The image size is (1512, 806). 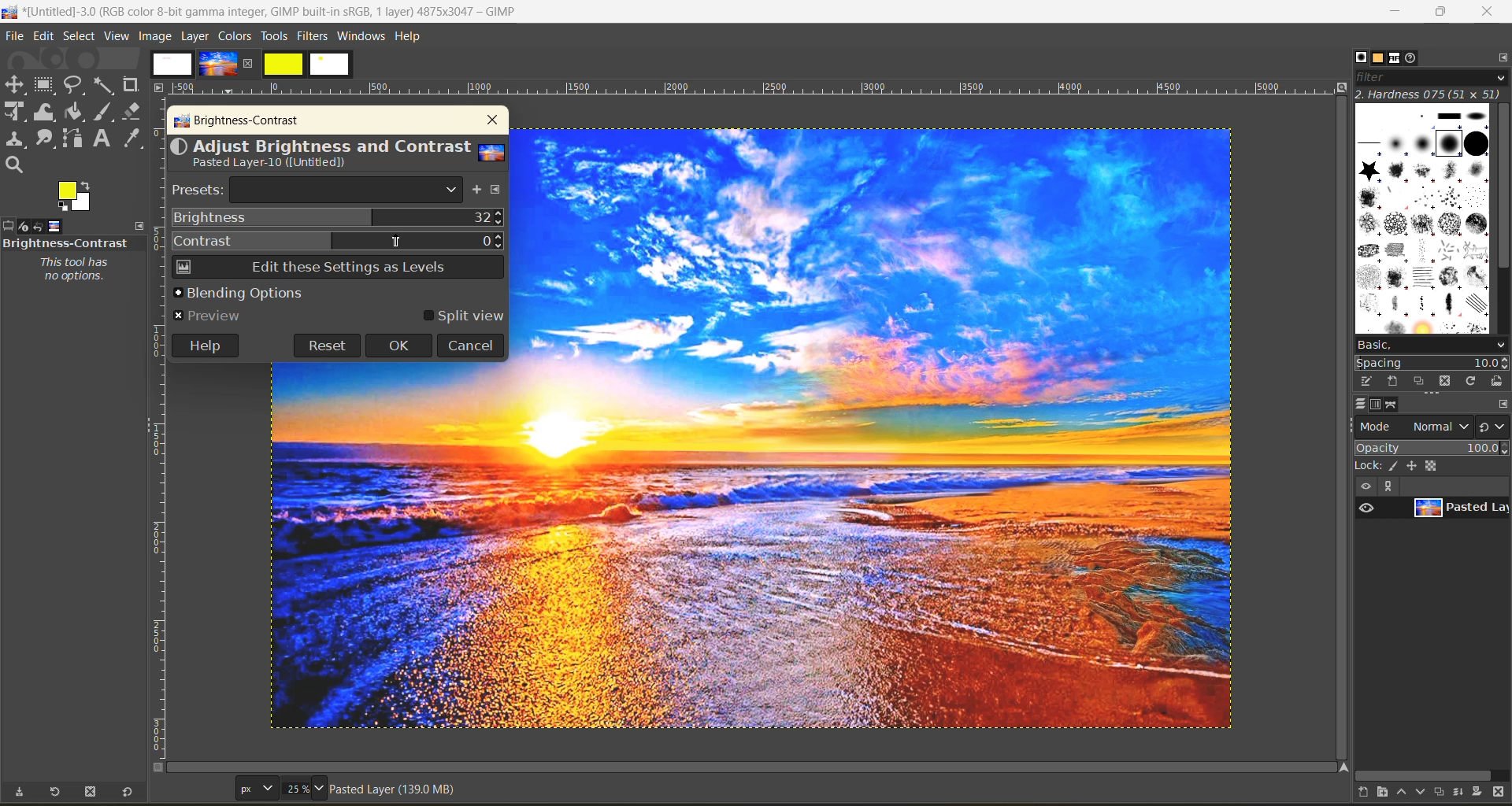 What do you see at coordinates (1431, 94) in the screenshot?
I see `hardness` at bounding box center [1431, 94].